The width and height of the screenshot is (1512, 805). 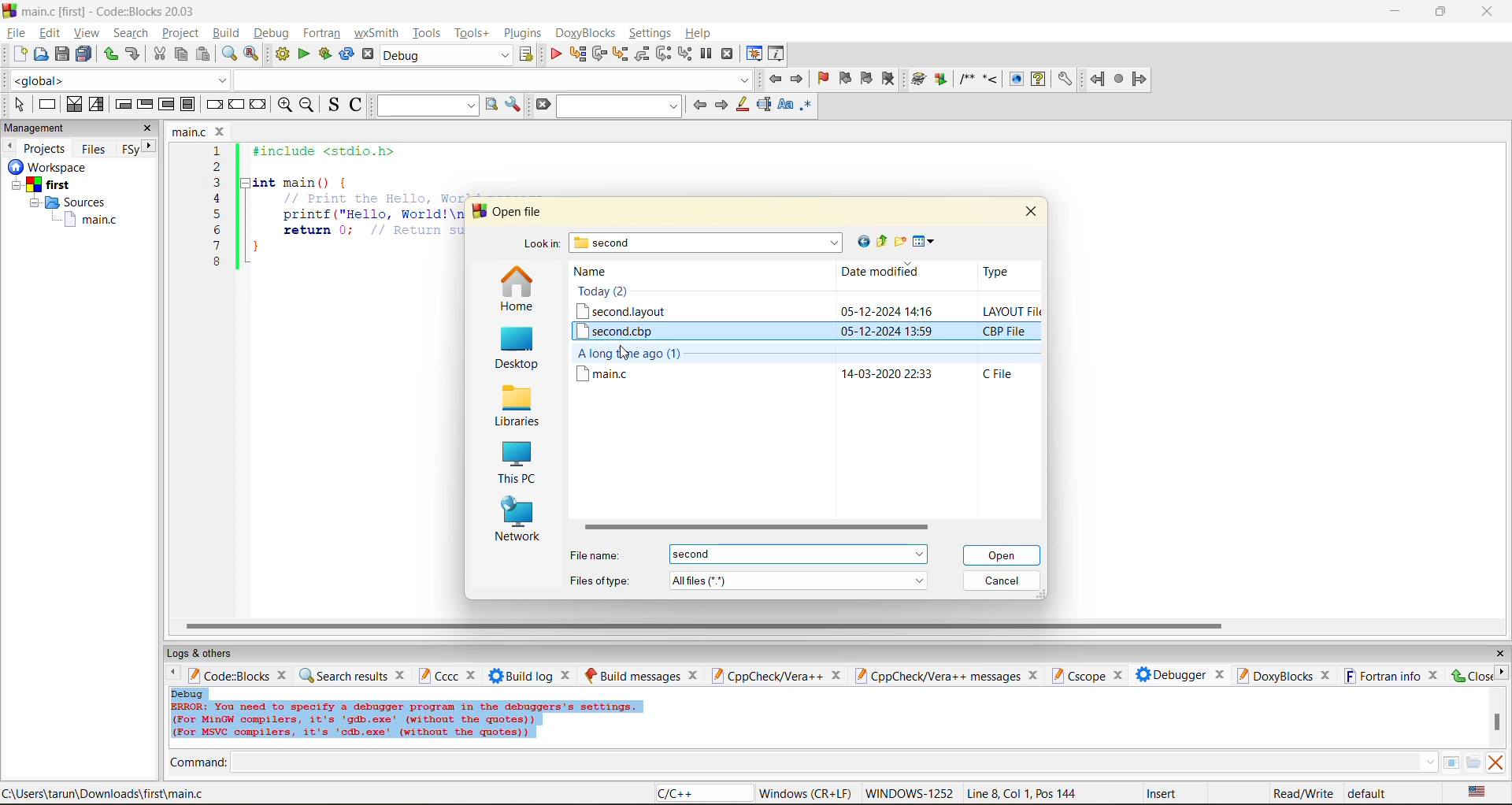 I want to click on logo, so click(x=9, y=9).